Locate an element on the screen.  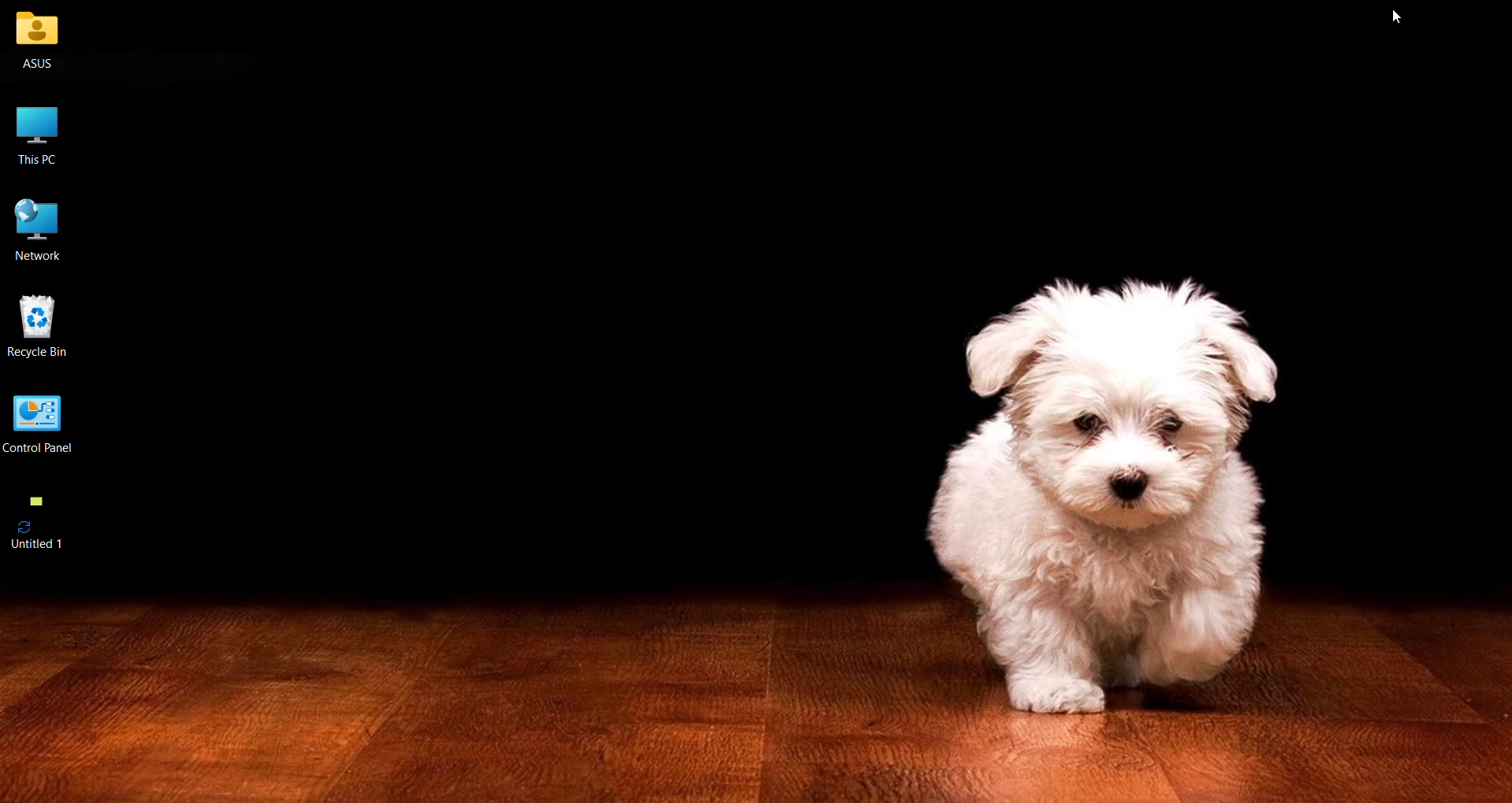
this pc is located at coordinates (39, 131).